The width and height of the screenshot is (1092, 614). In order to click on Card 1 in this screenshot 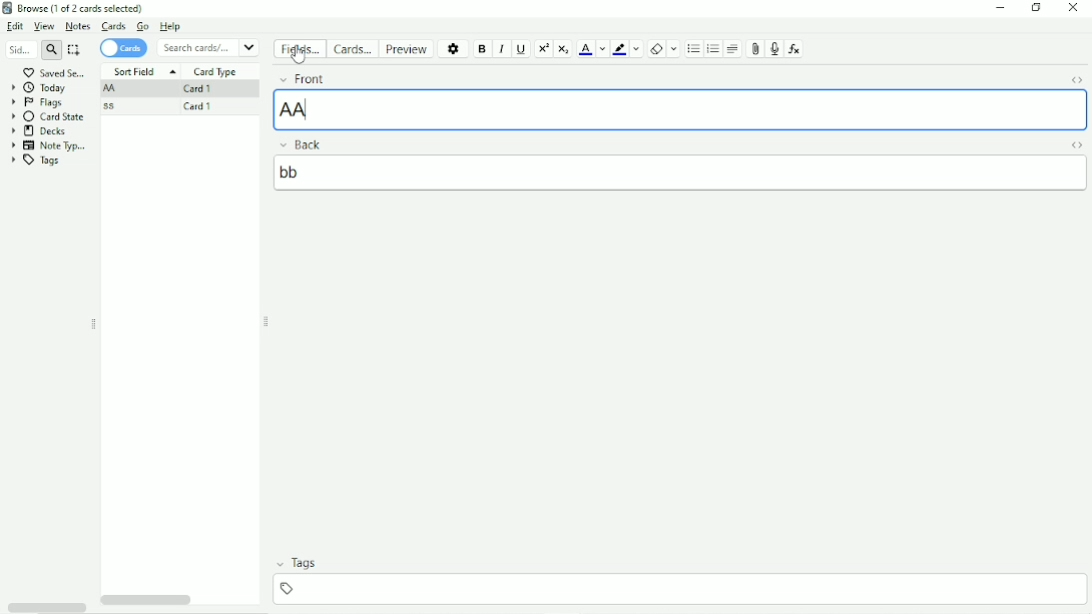, I will do `click(204, 108)`.